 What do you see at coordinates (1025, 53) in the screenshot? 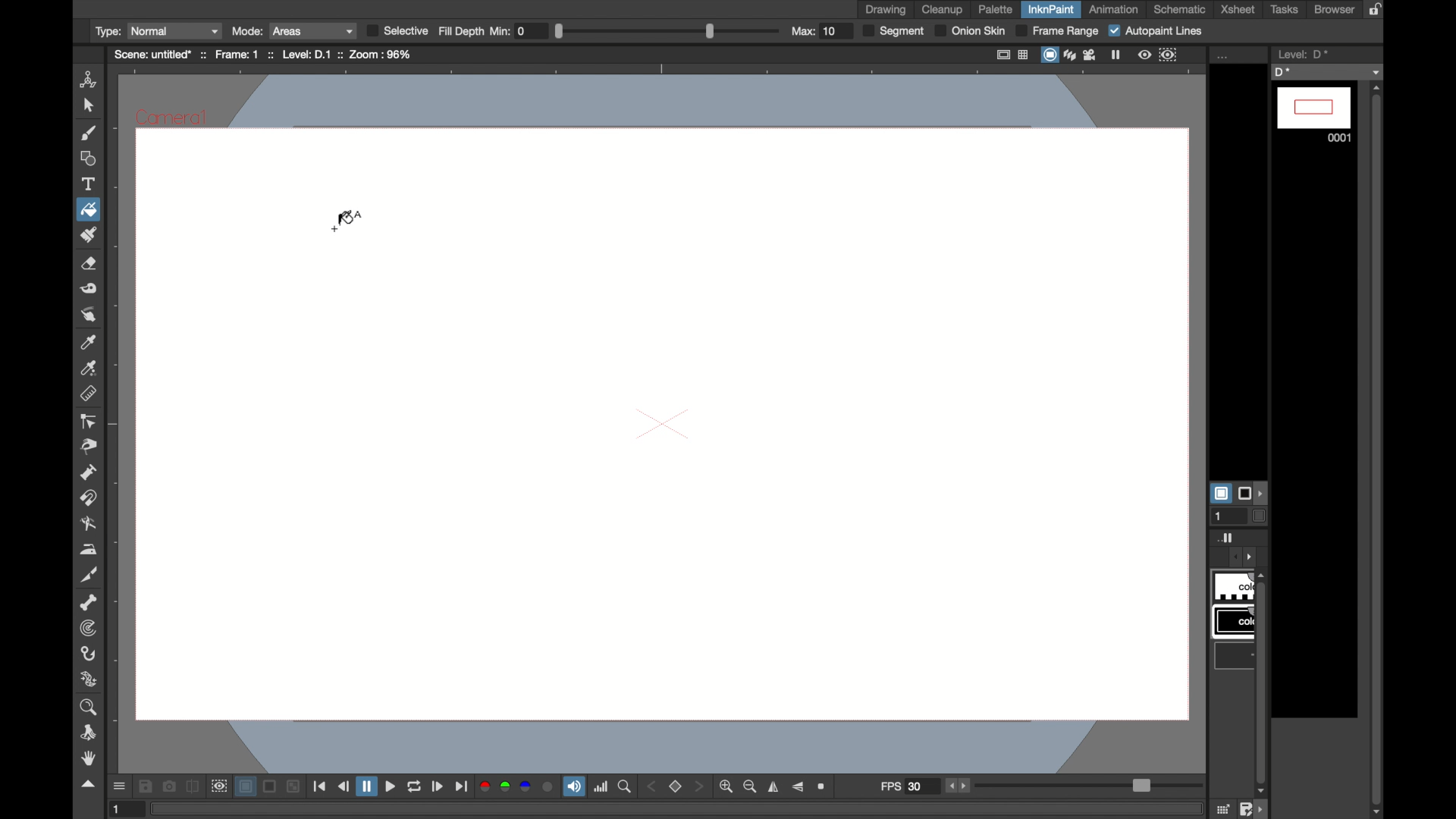
I see `table` at bounding box center [1025, 53].